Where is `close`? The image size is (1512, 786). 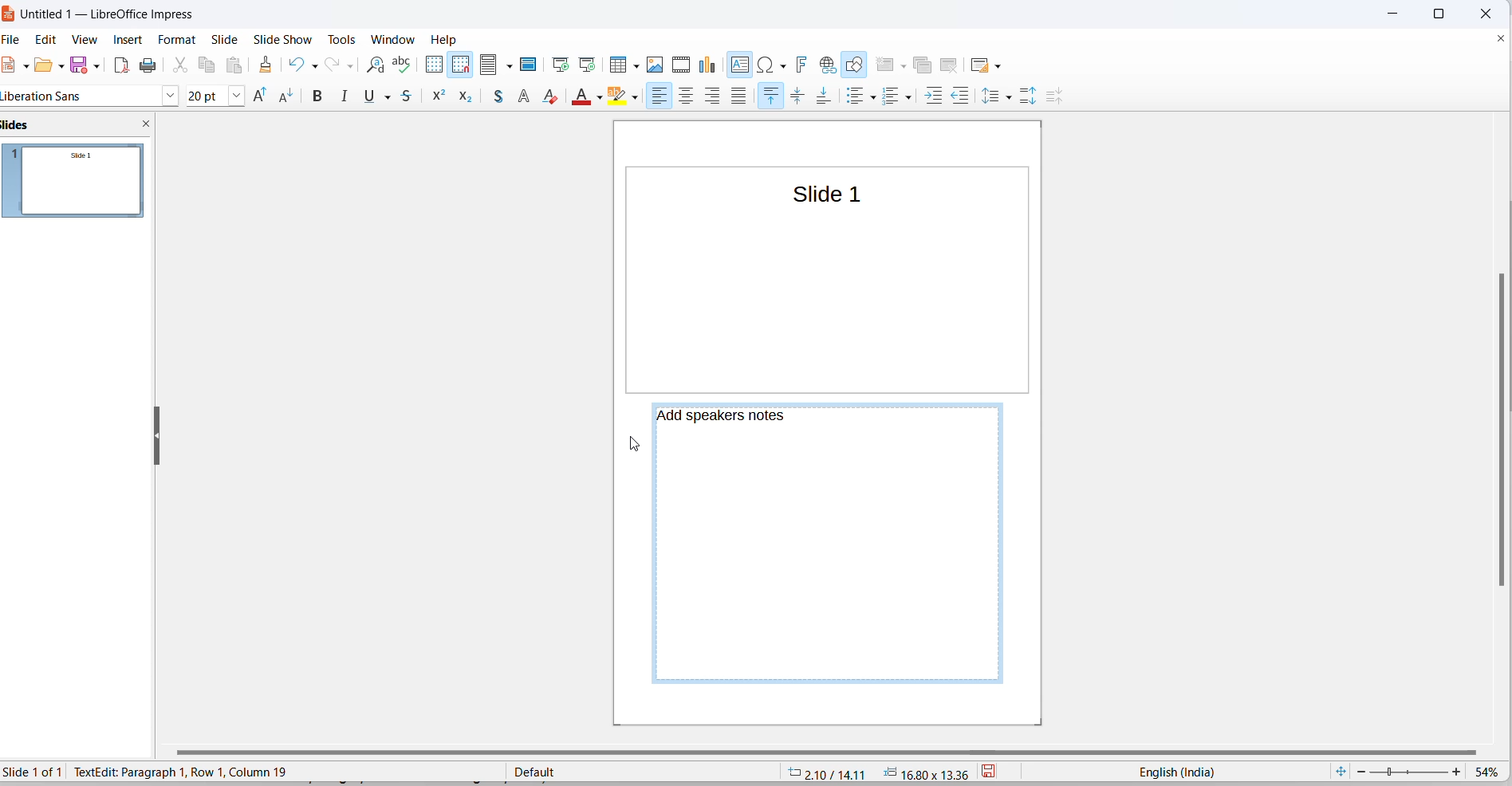 close is located at coordinates (1482, 12).